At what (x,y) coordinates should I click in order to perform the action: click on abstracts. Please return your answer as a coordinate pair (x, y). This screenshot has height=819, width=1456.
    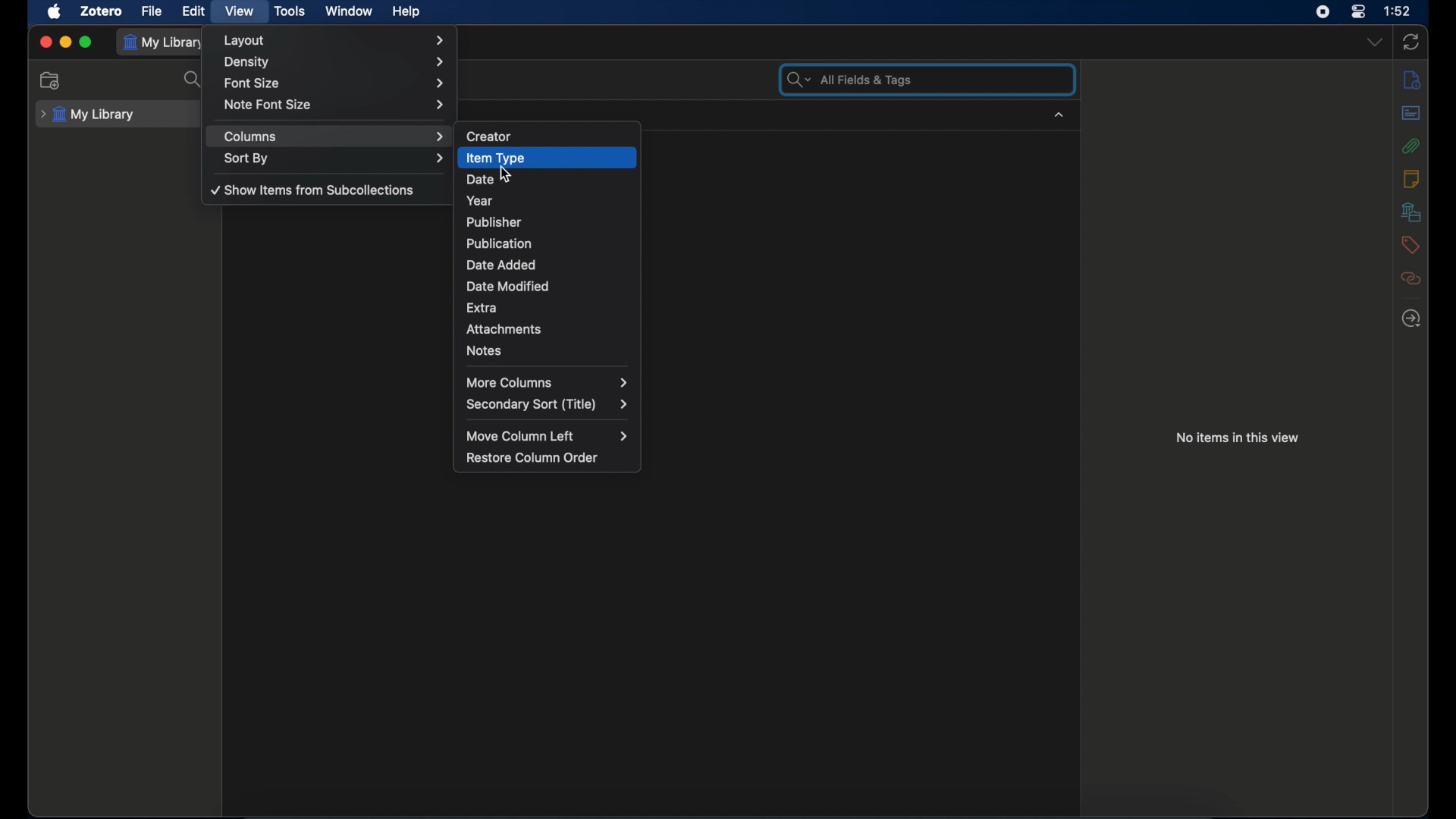
    Looking at the image, I should click on (1411, 112).